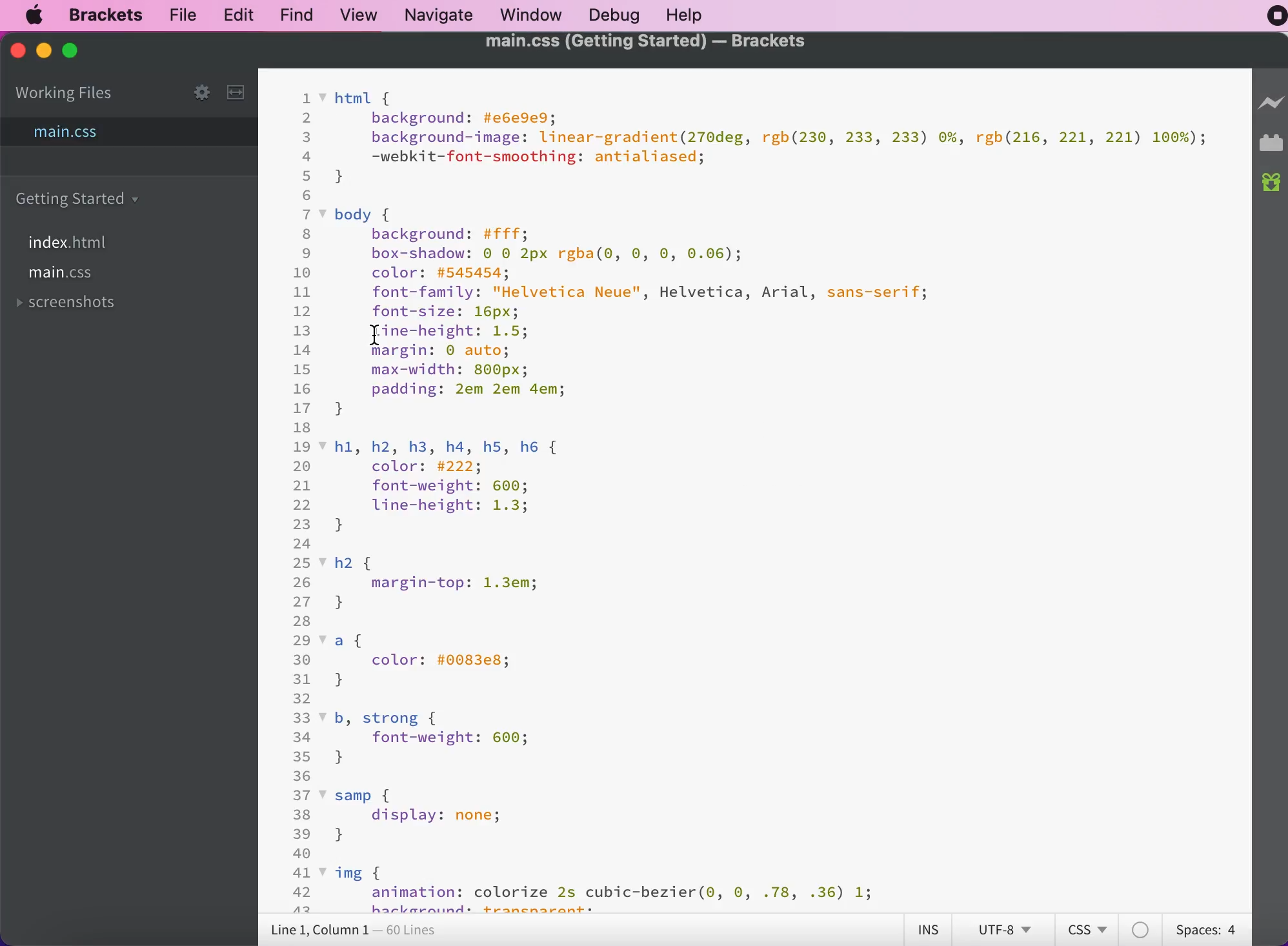  What do you see at coordinates (1085, 931) in the screenshot?
I see `css` at bounding box center [1085, 931].